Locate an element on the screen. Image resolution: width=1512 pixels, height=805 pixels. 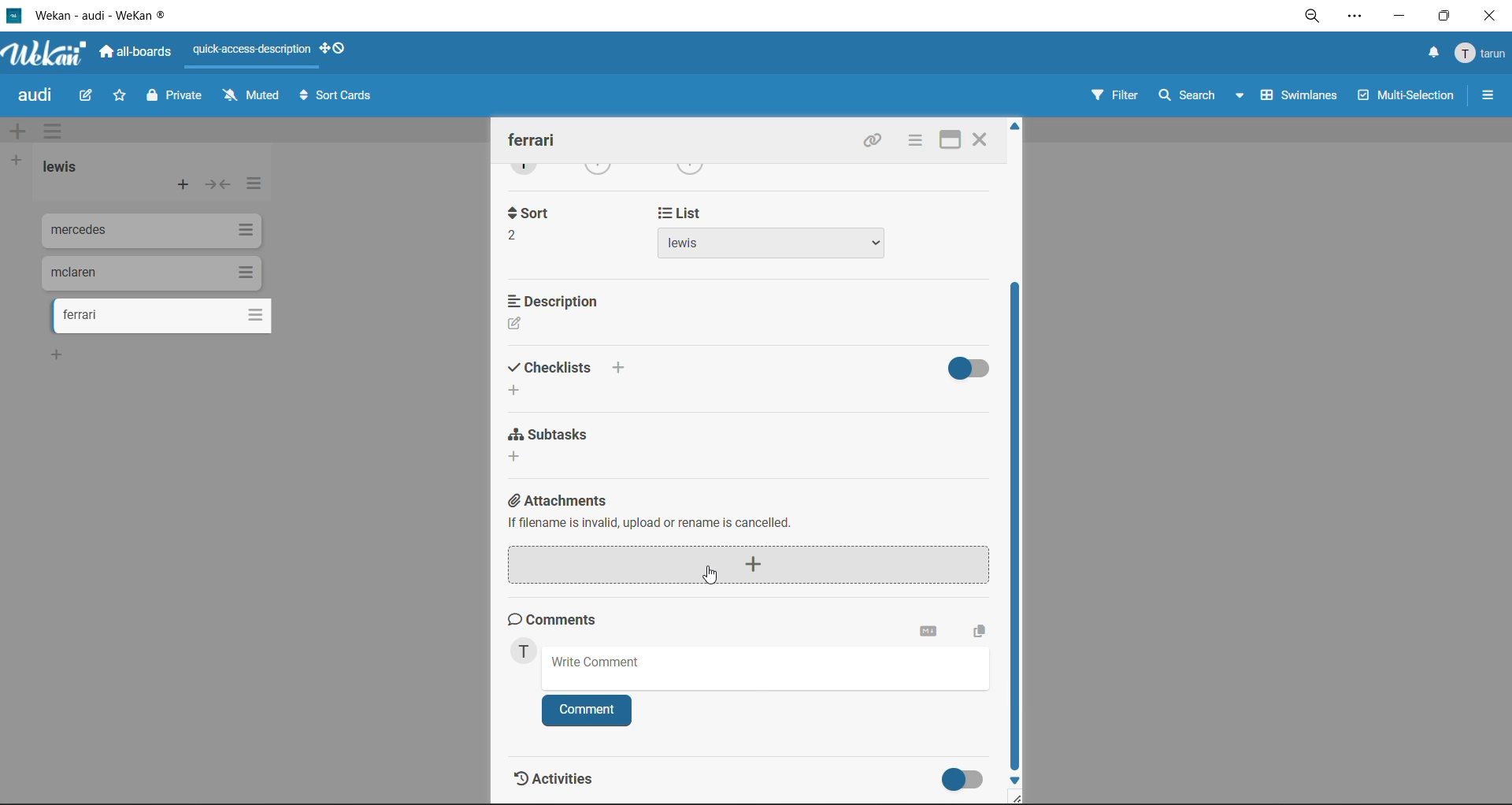
zoom is located at coordinates (1314, 16).